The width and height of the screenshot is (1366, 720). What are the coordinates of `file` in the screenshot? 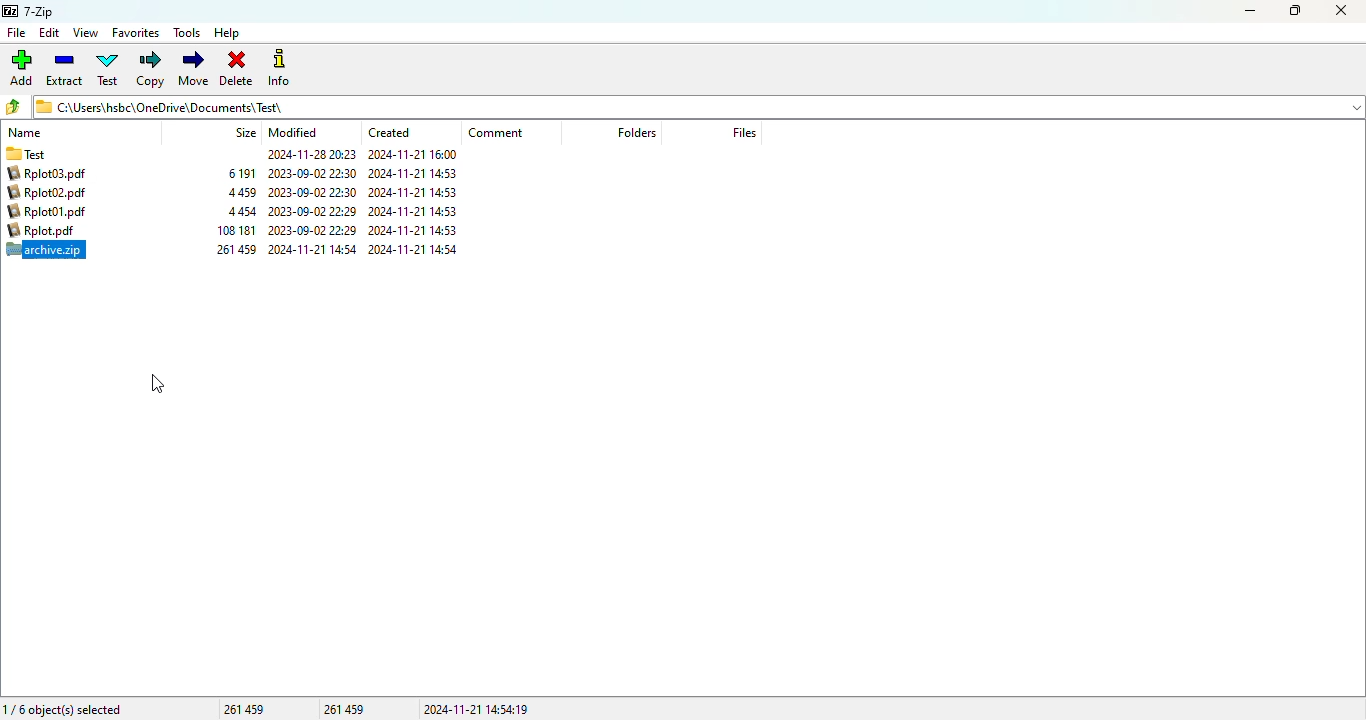 It's located at (15, 33).